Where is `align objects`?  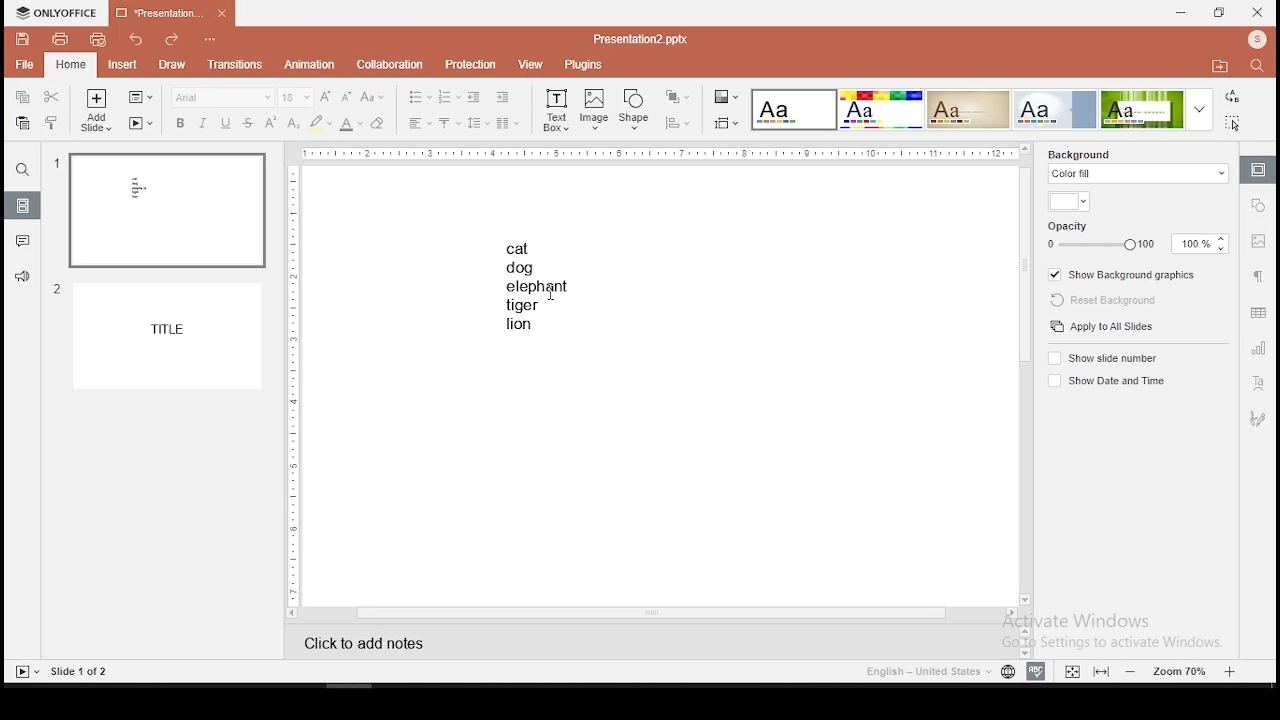 align objects is located at coordinates (725, 123).